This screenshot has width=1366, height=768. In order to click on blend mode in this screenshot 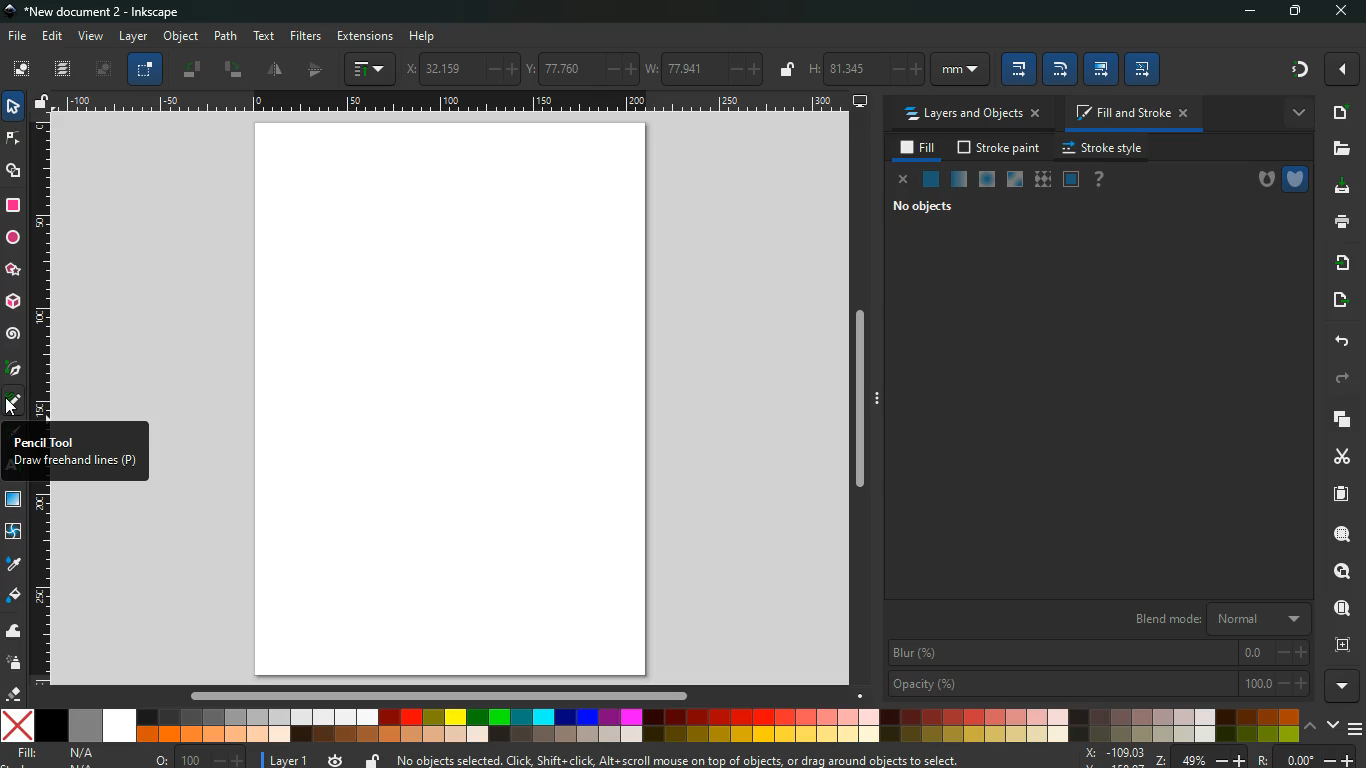, I will do `click(1207, 617)`.